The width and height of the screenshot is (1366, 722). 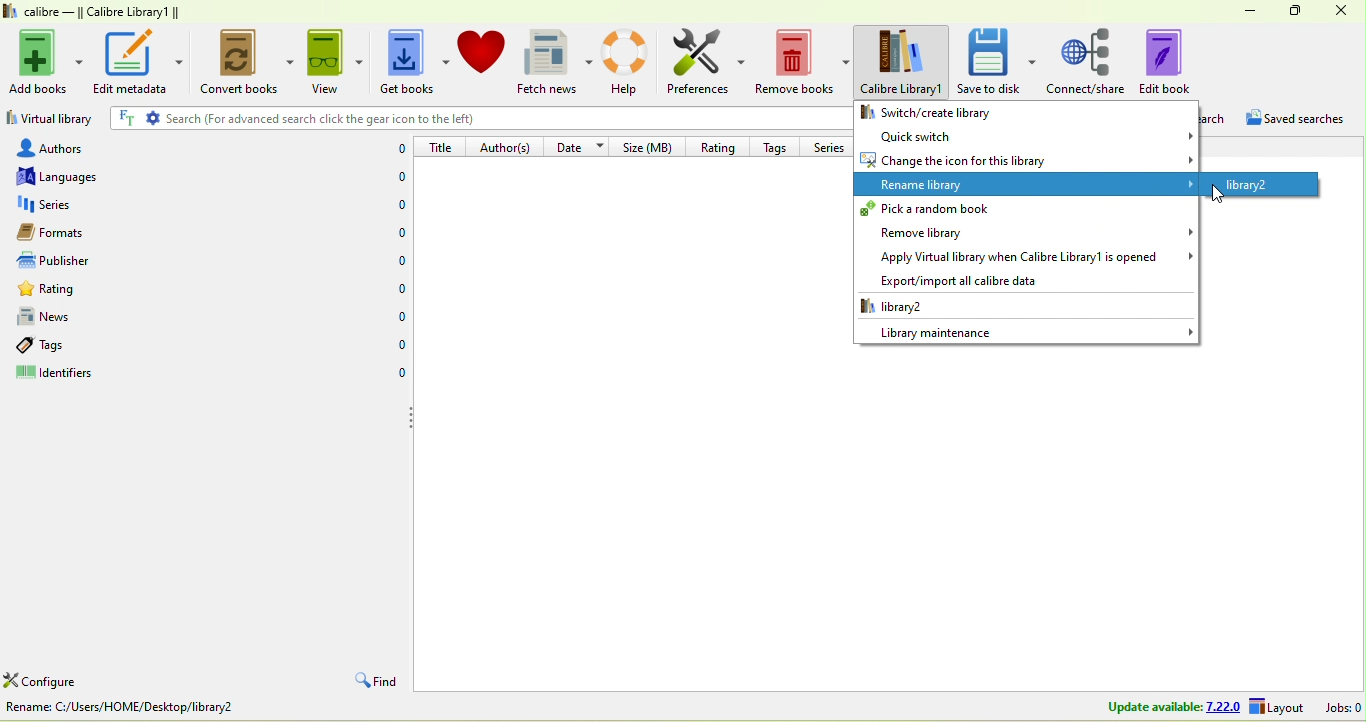 What do you see at coordinates (804, 63) in the screenshot?
I see `remove books` at bounding box center [804, 63].